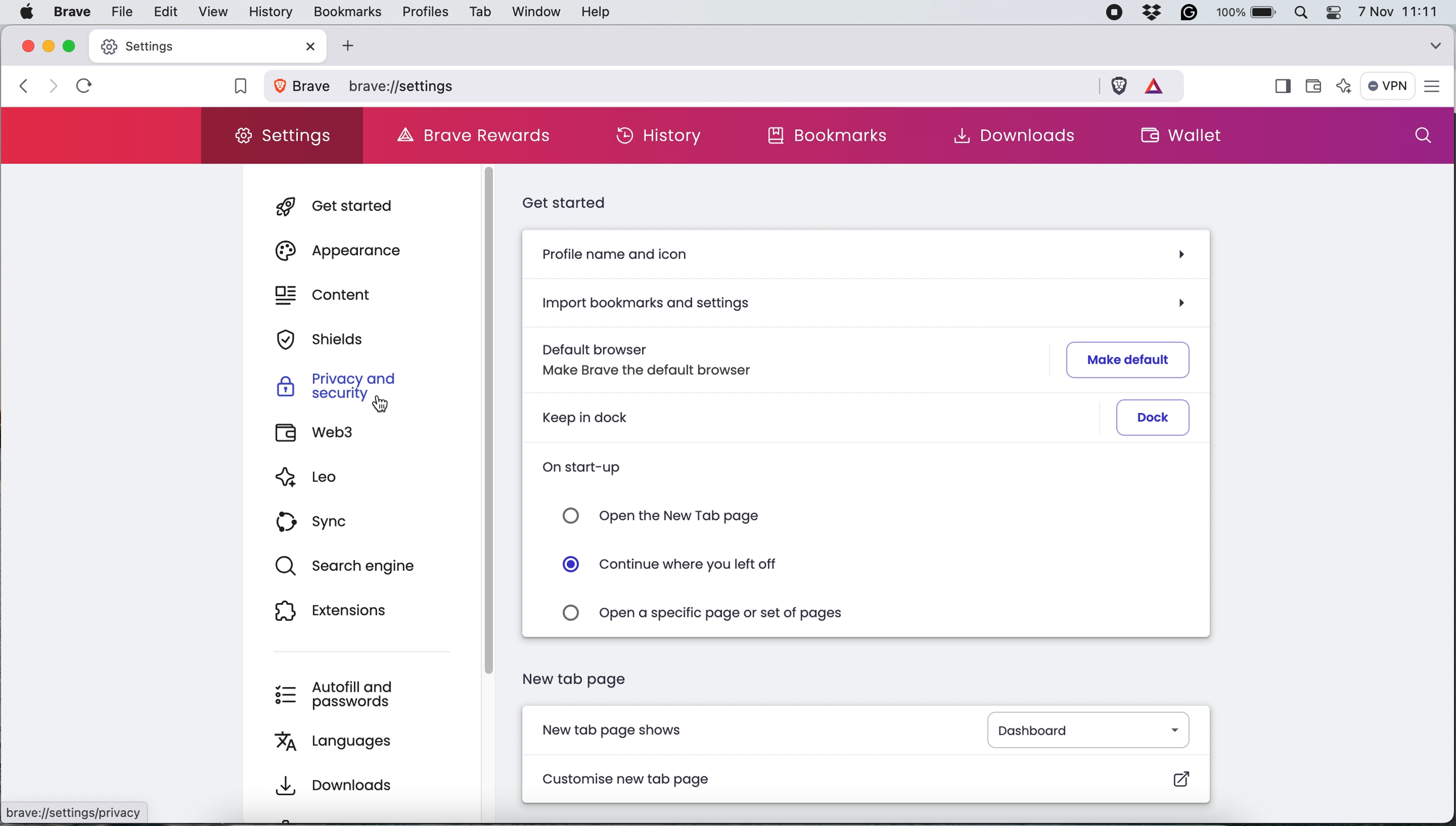 Image resolution: width=1456 pixels, height=826 pixels. I want to click on brave:/[settings/privacy, so click(70, 813).